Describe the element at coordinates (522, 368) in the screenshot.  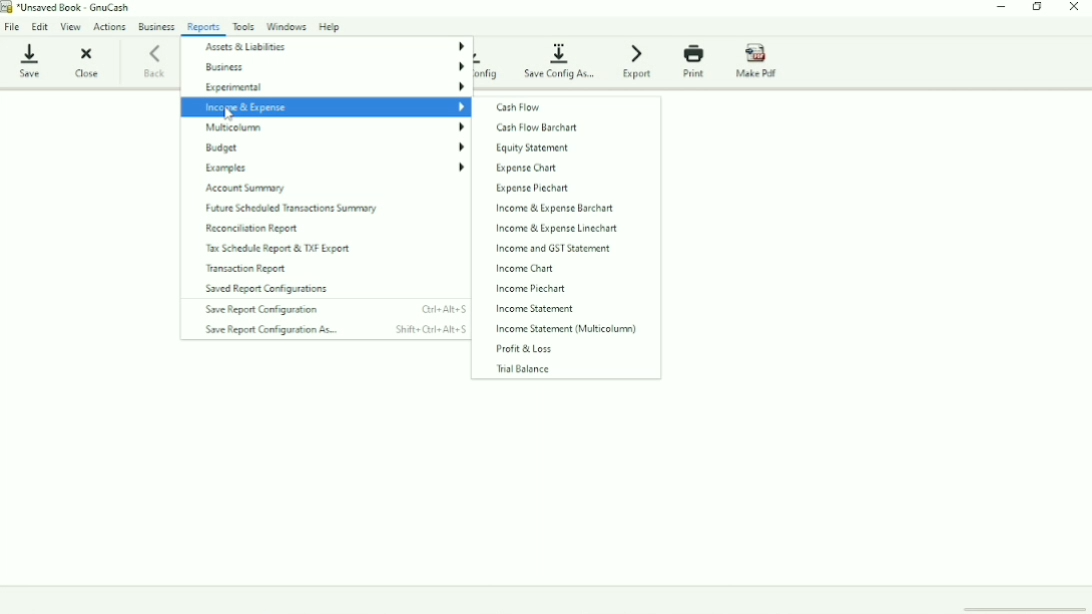
I see `Trial Balance` at that location.